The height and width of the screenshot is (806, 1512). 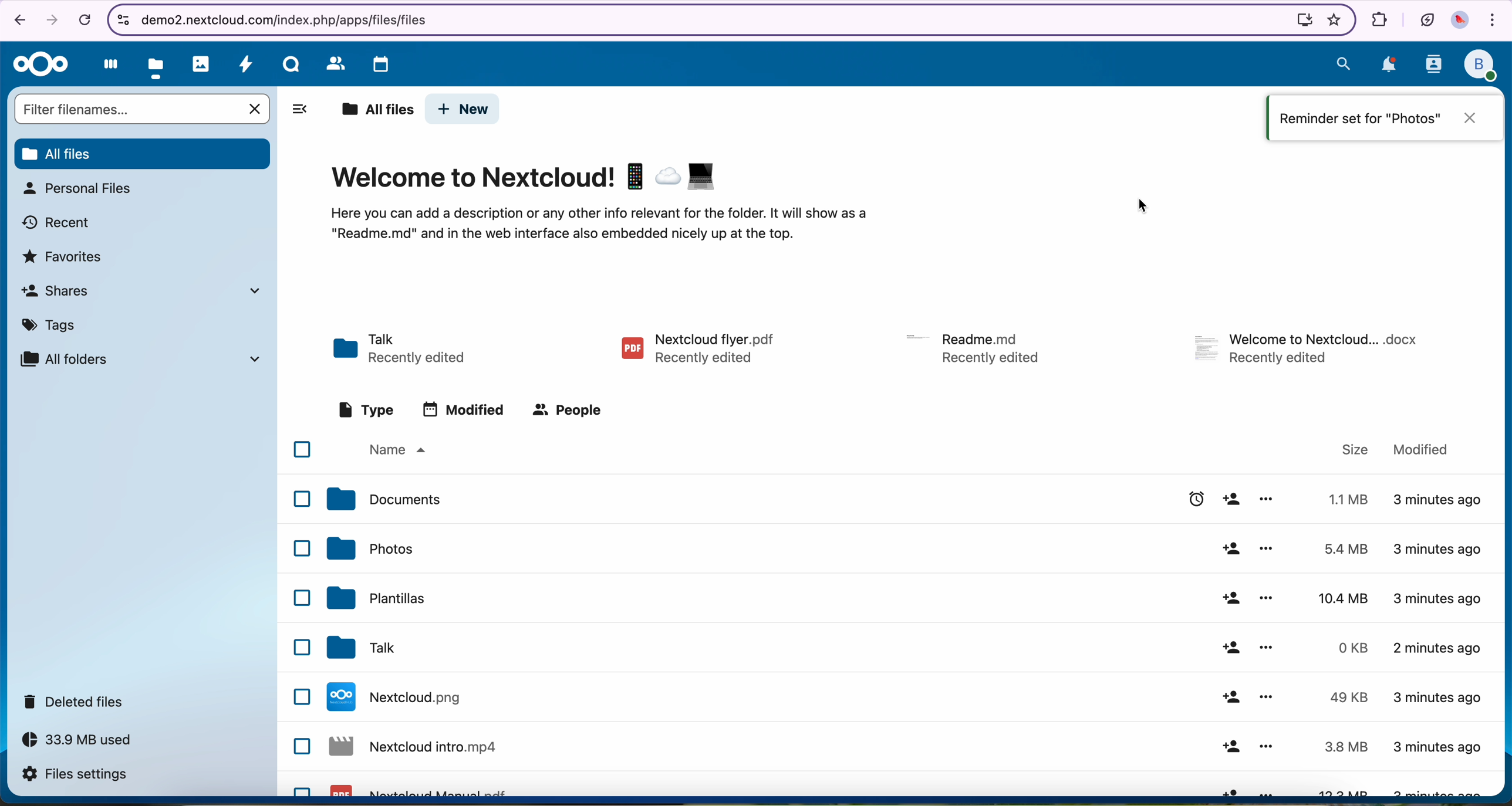 I want to click on contacts, so click(x=332, y=63).